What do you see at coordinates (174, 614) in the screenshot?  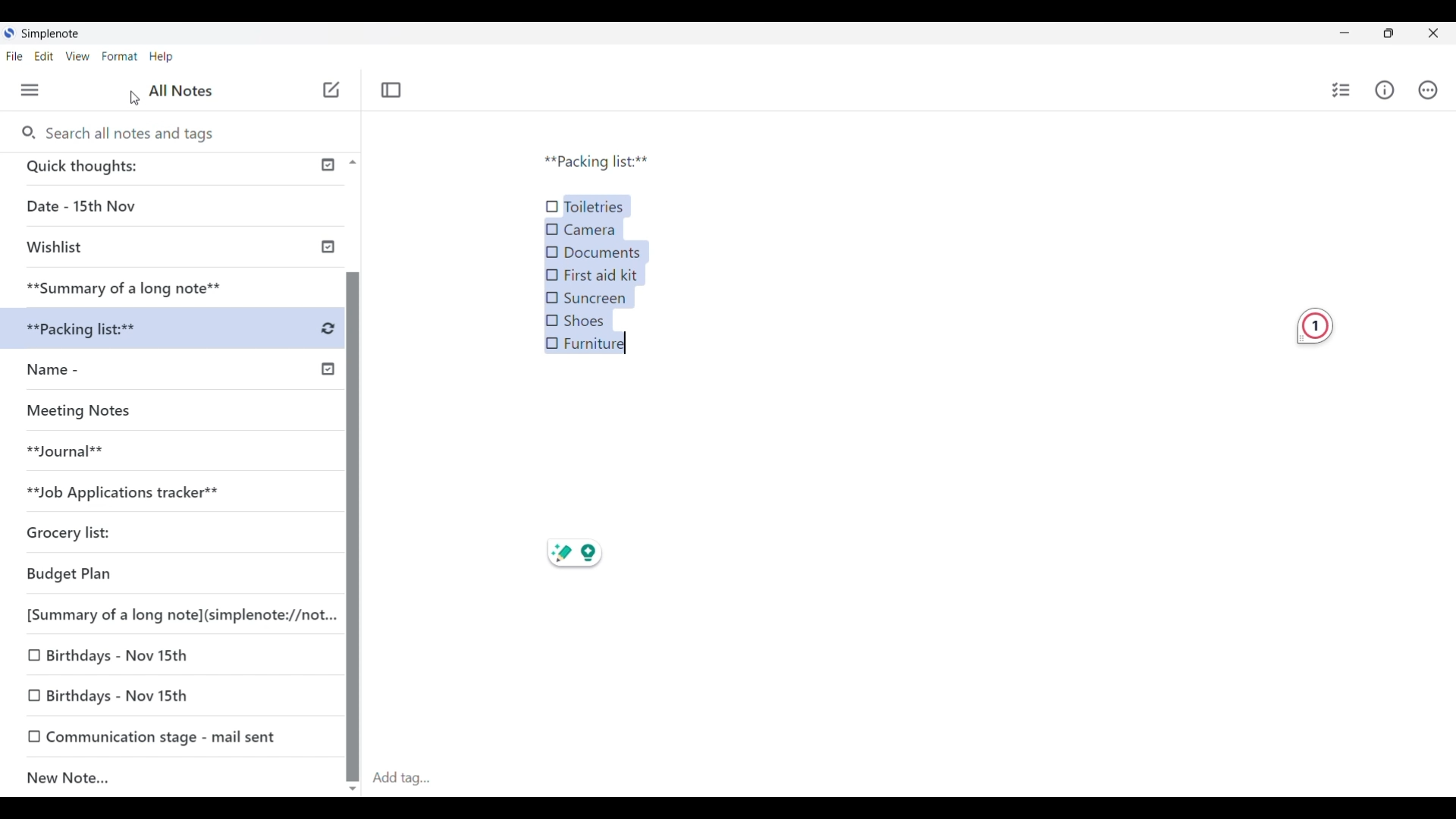 I see `[Summary of a long note](simplenote://not...` at bounding box center [174, 614].